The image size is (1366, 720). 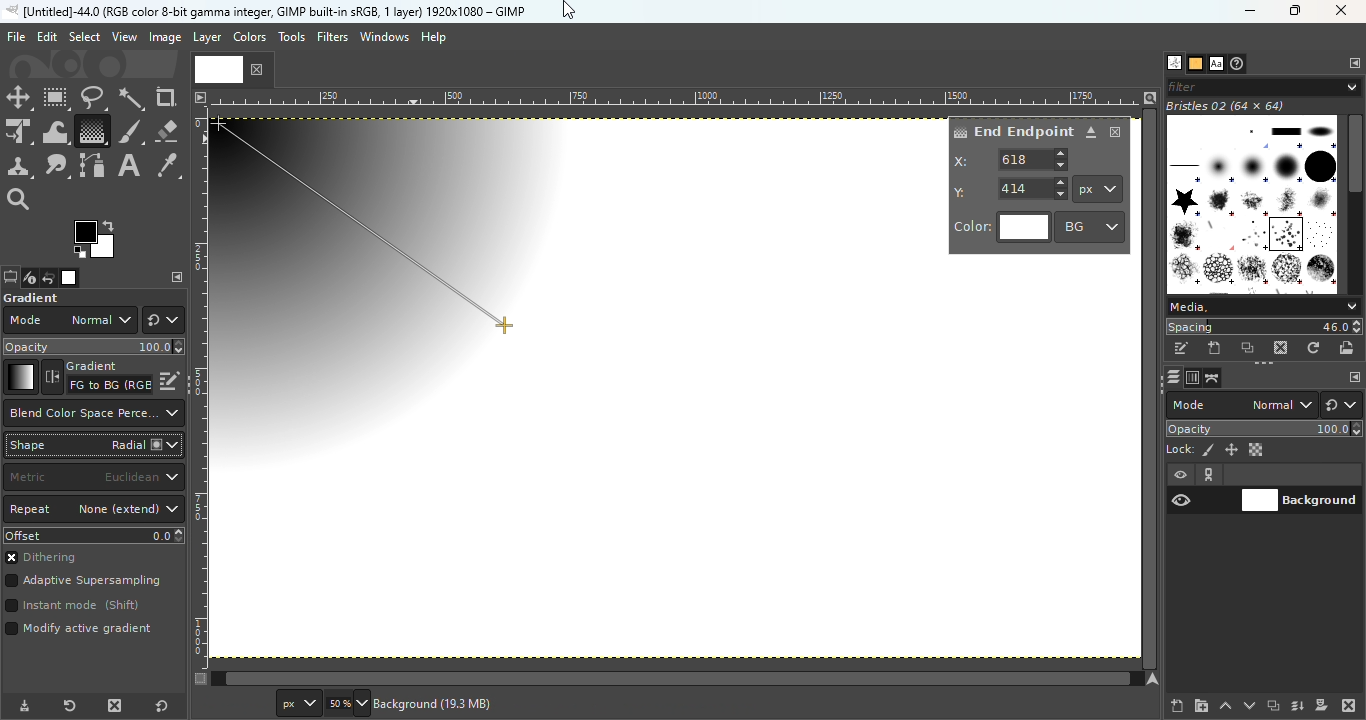 I want to click on Enter image size, so click(x=345, y=704).